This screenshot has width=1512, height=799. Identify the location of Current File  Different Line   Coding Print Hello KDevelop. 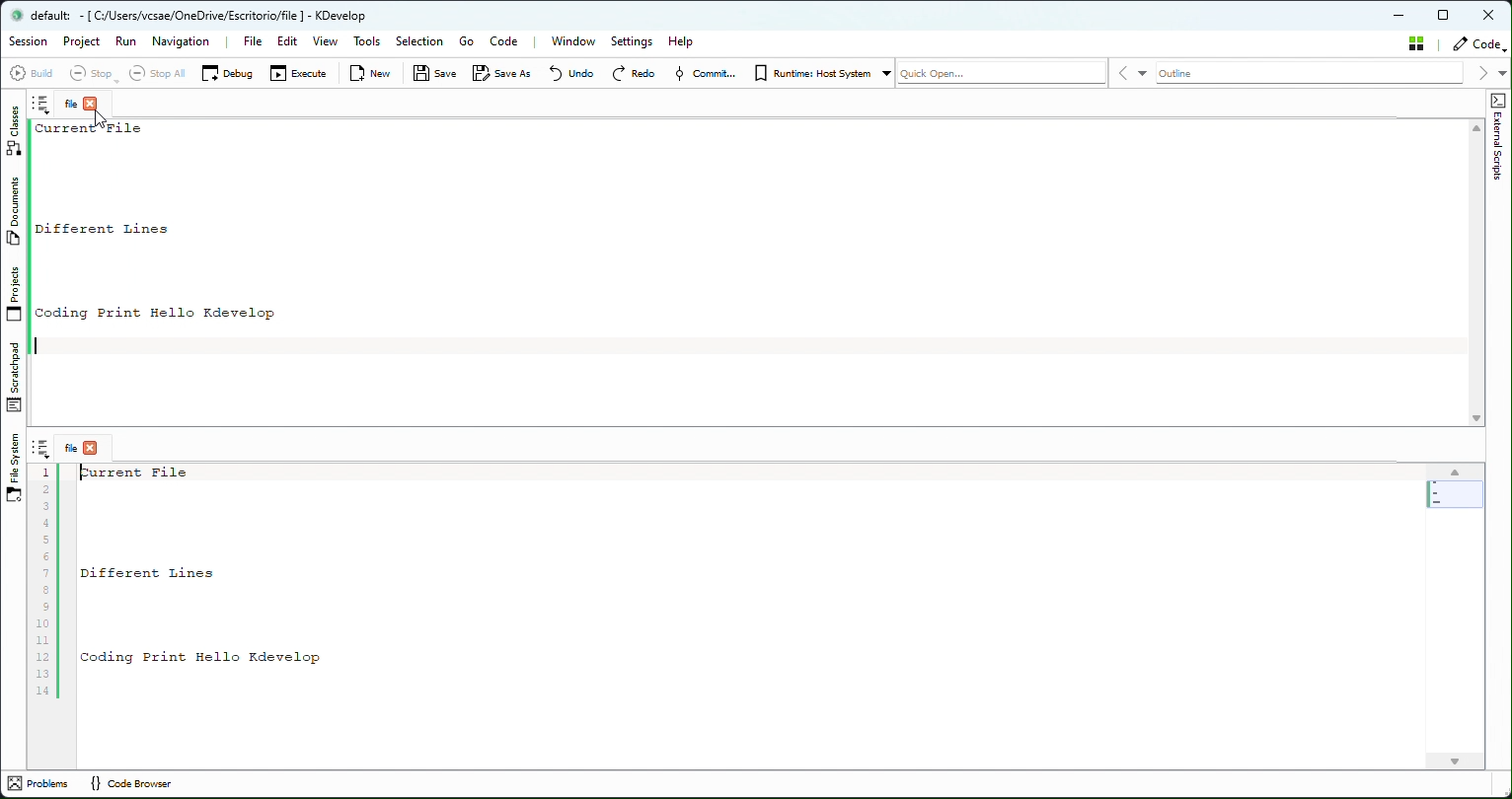
(746, 264).